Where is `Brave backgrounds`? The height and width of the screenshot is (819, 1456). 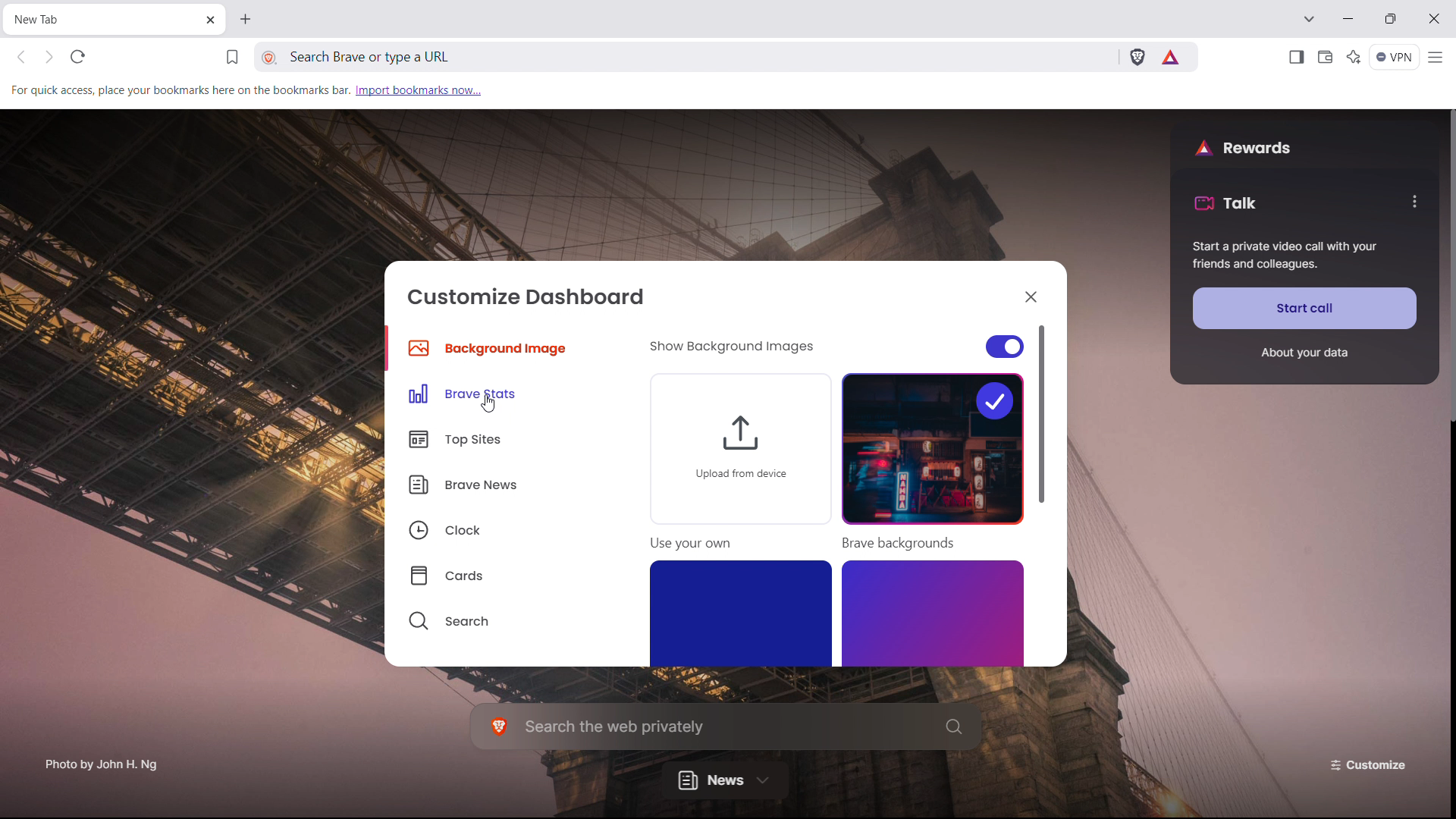 Brave backgrounds is located at coordinates (899, 544).